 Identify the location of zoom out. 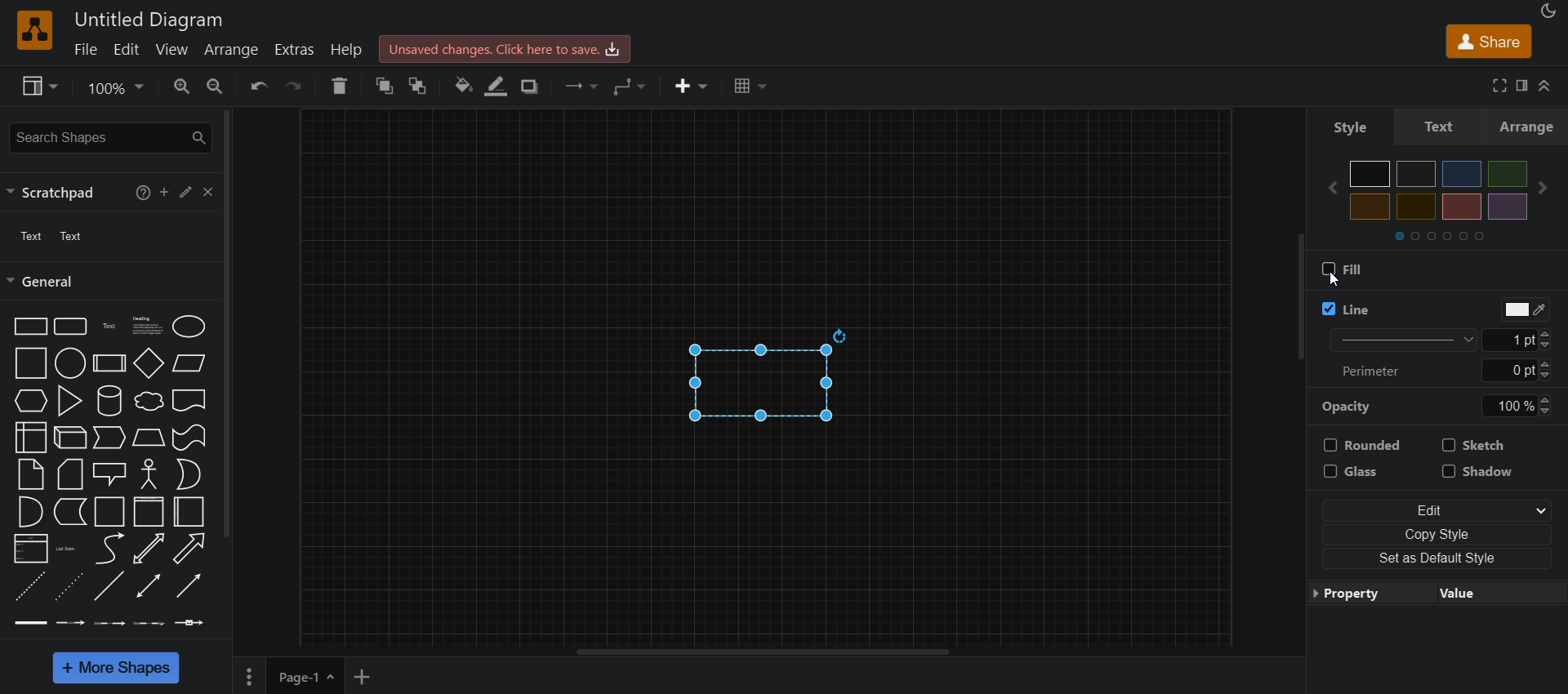
(217, 85).